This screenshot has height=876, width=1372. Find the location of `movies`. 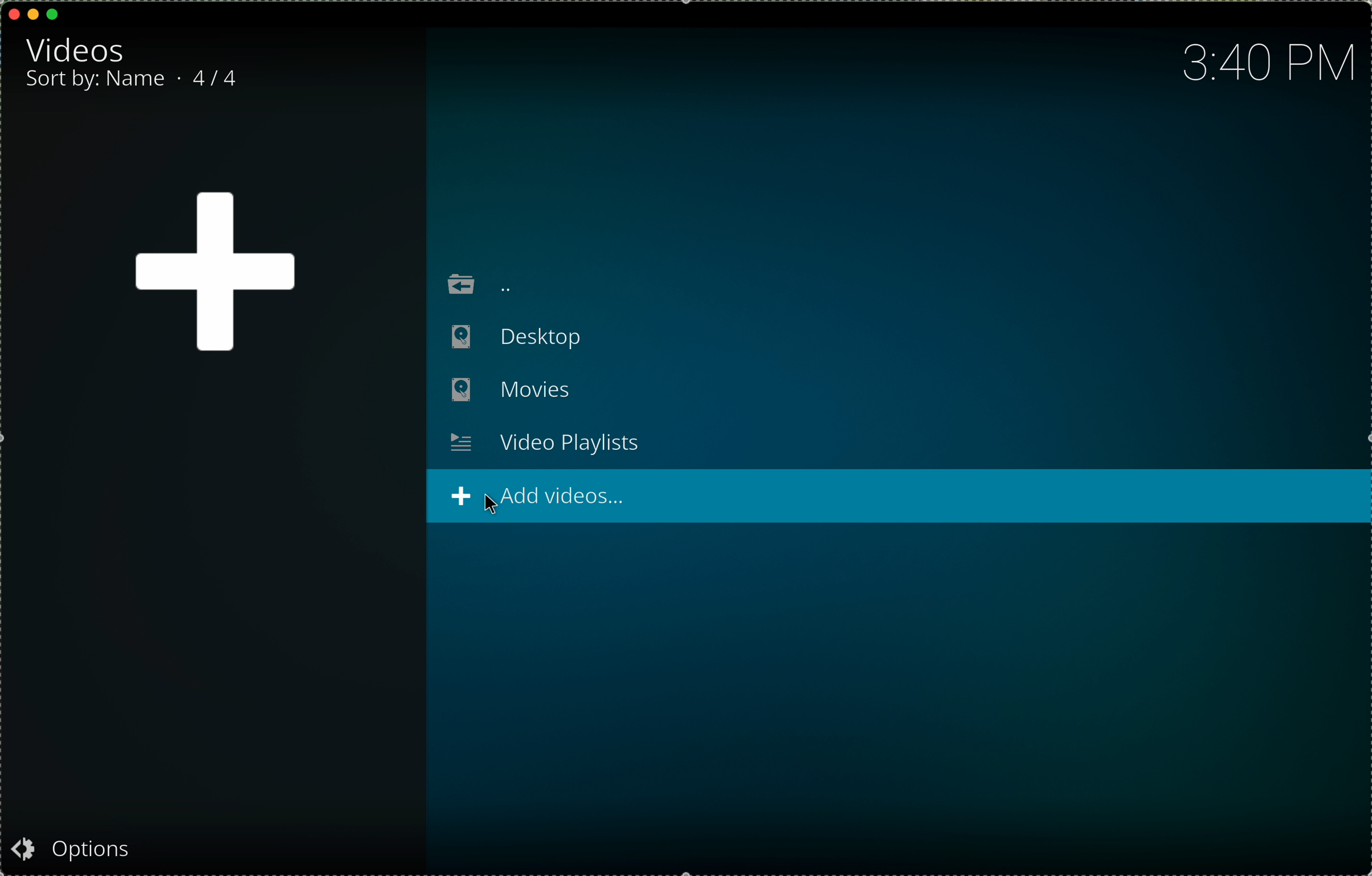

movies is located at coordinates (509, 391).